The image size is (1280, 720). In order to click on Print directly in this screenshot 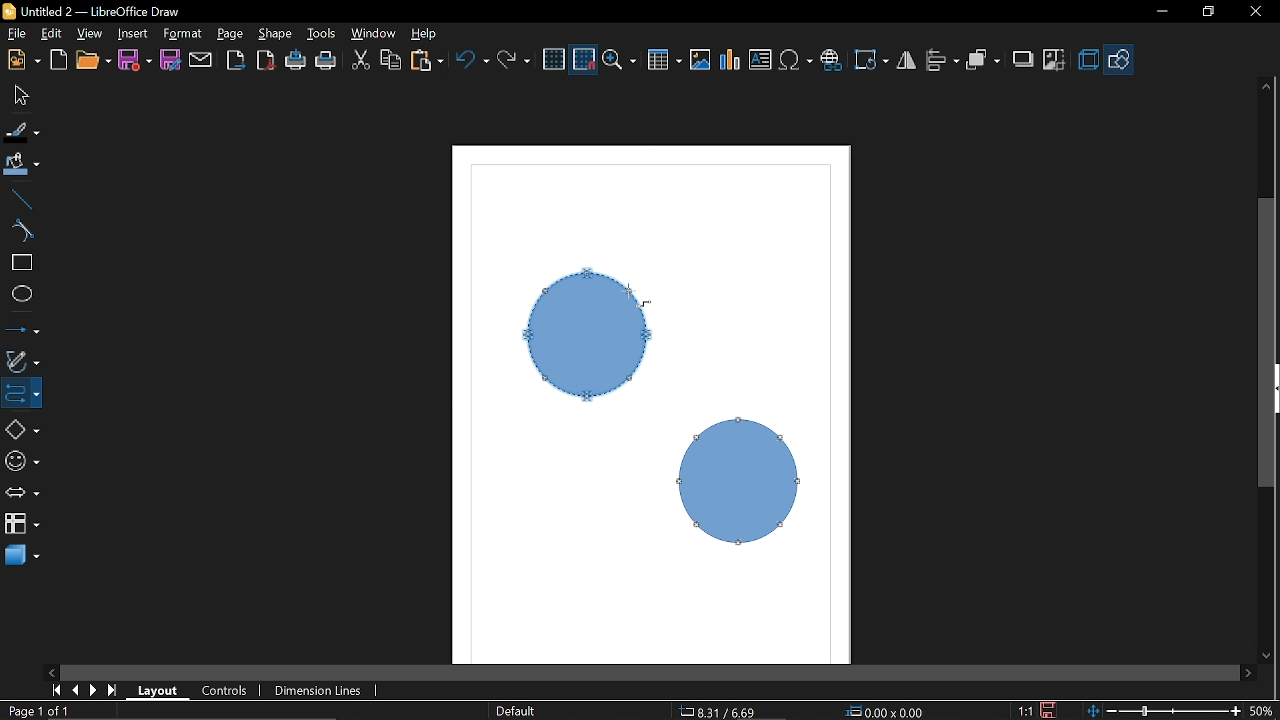, I will do `click(297, 60)`.